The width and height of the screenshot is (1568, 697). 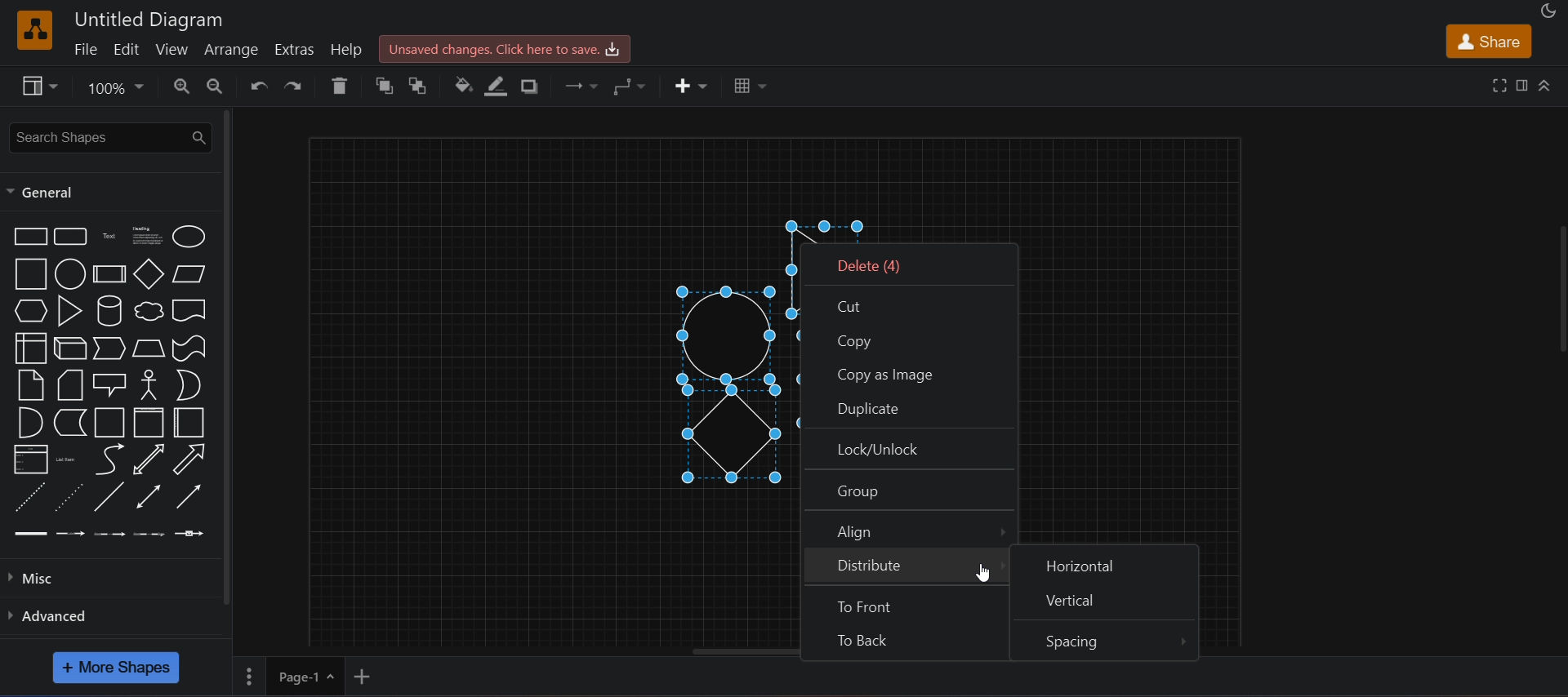 What do you see at coordinates (146, 313) in the screenshot?
I see `cloud` at bounding box center [146, 313].